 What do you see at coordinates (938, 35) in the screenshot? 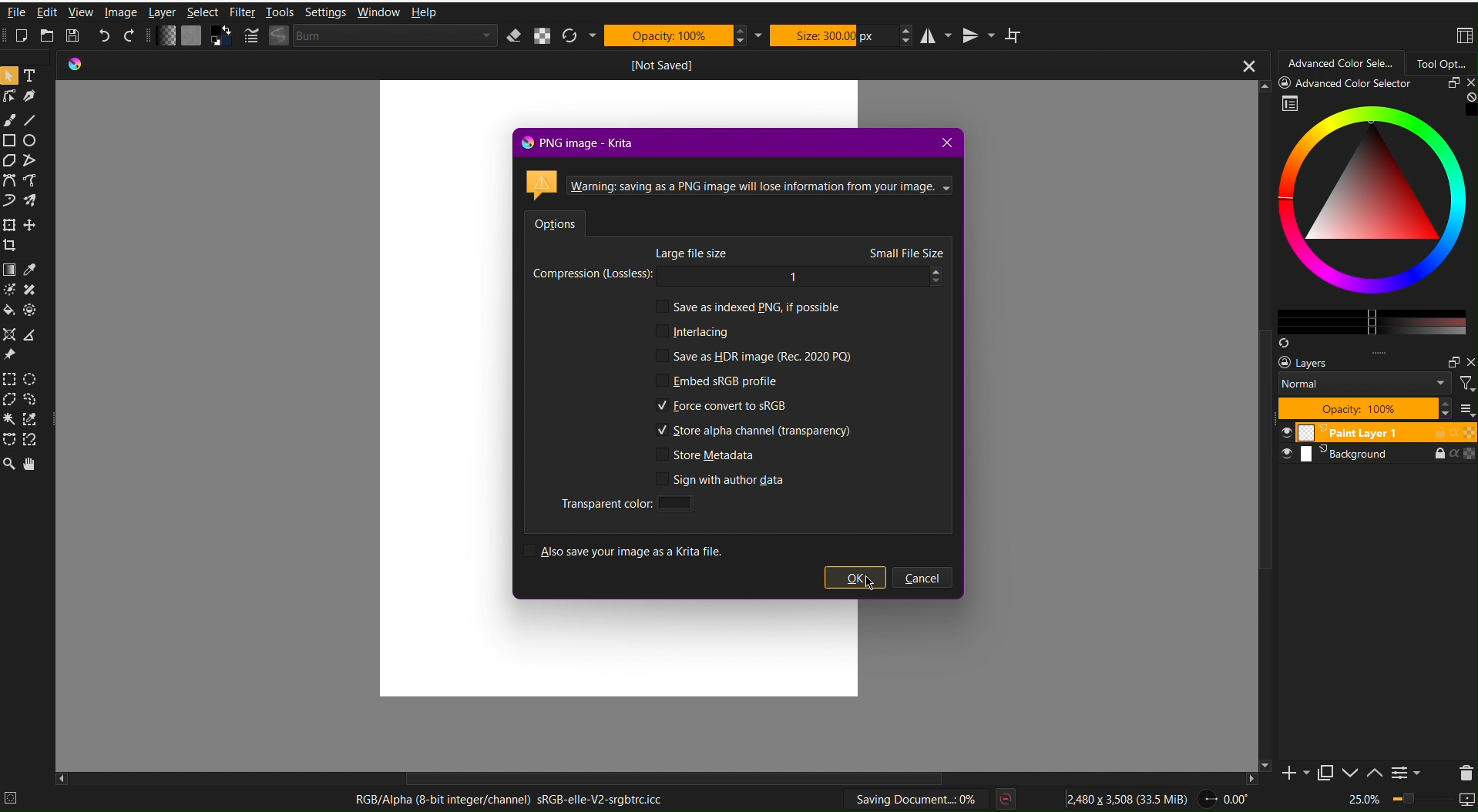
I see `Horizontal Mirror` at bounding box center [938, 35].